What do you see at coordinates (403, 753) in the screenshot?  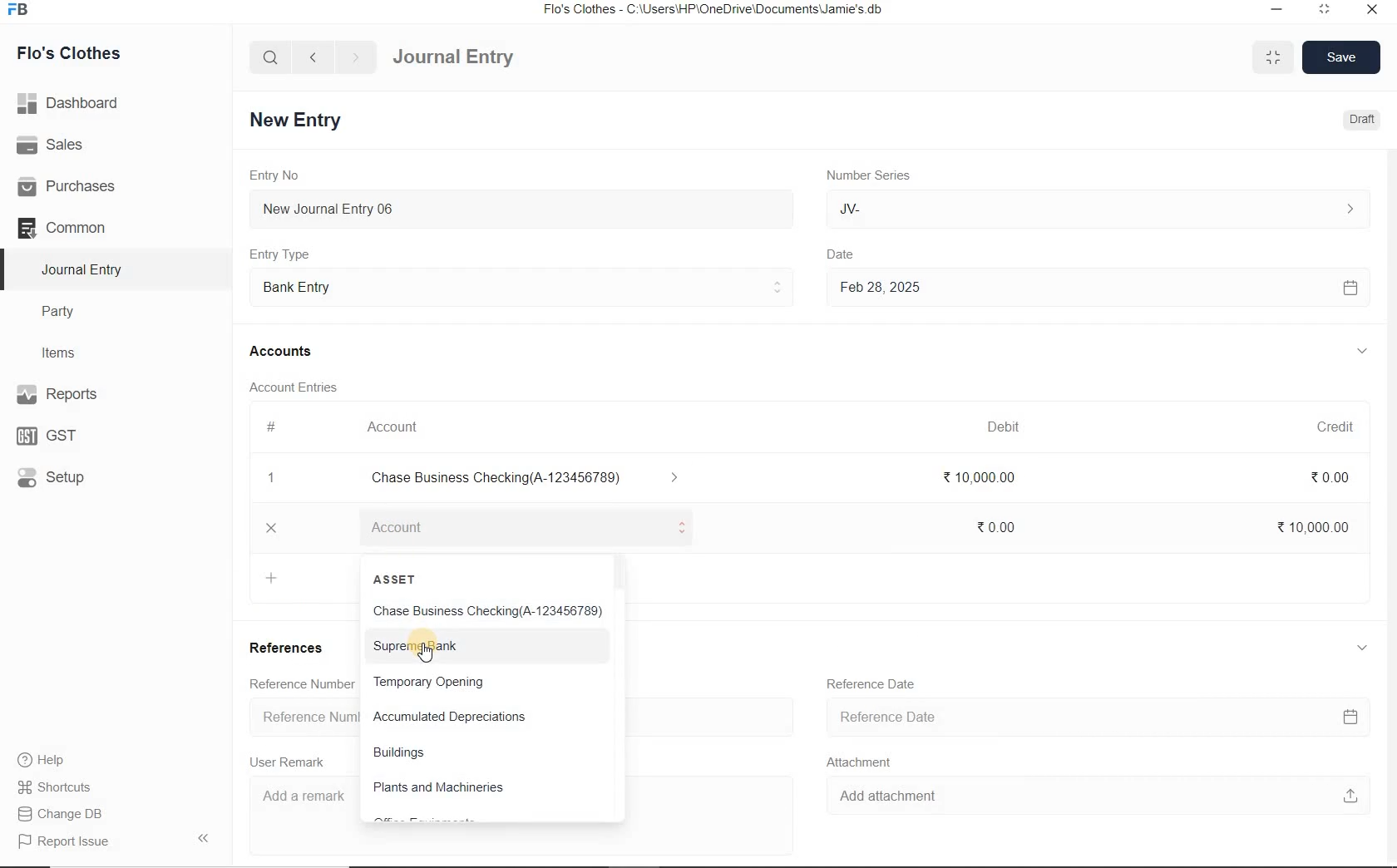 I see `Buildings` at bounding box center [403, 753].